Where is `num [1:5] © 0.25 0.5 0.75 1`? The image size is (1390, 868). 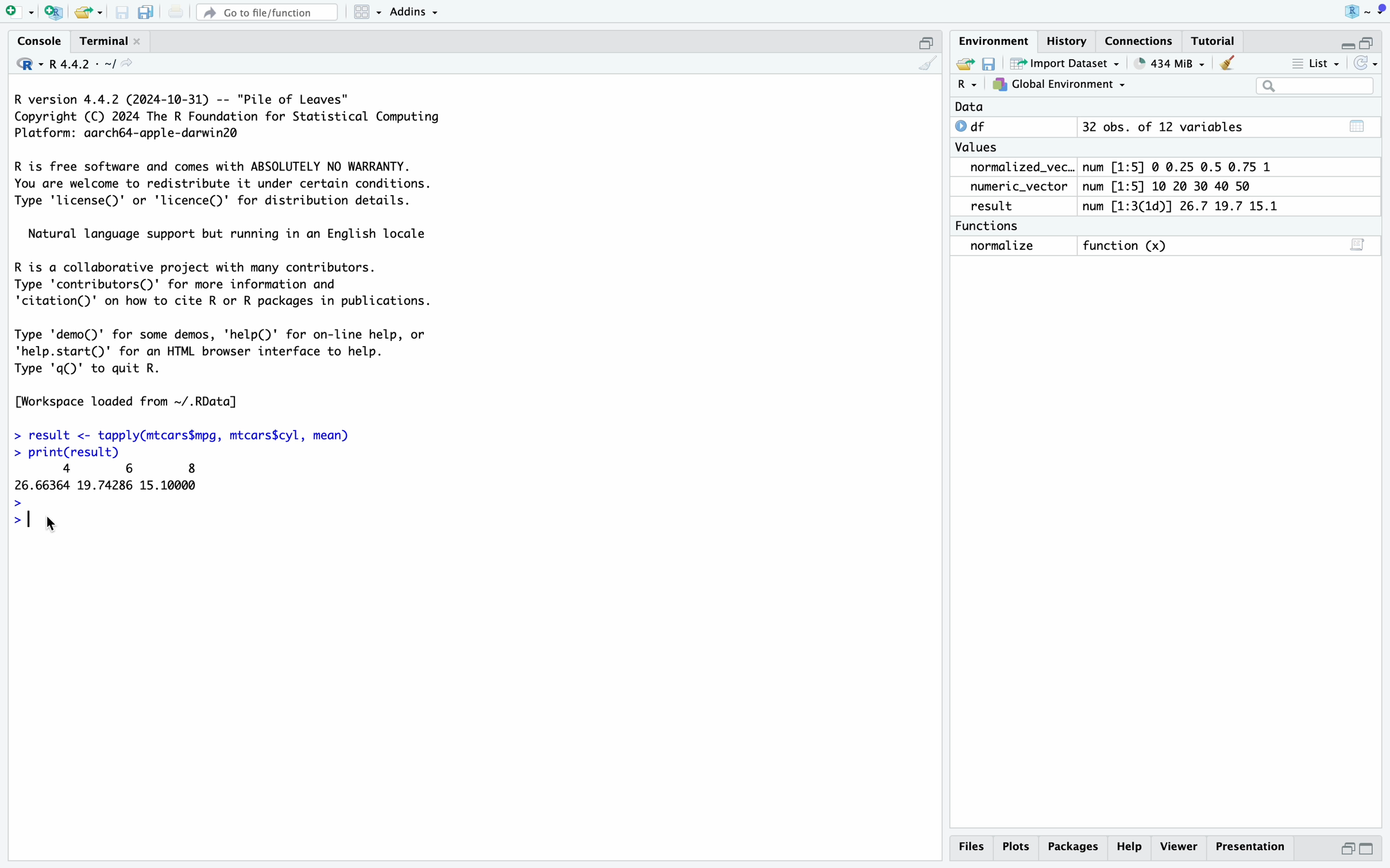 num [1:5] © 0.25 0.5 0.75 1 is located at coordinates (1183, 166).